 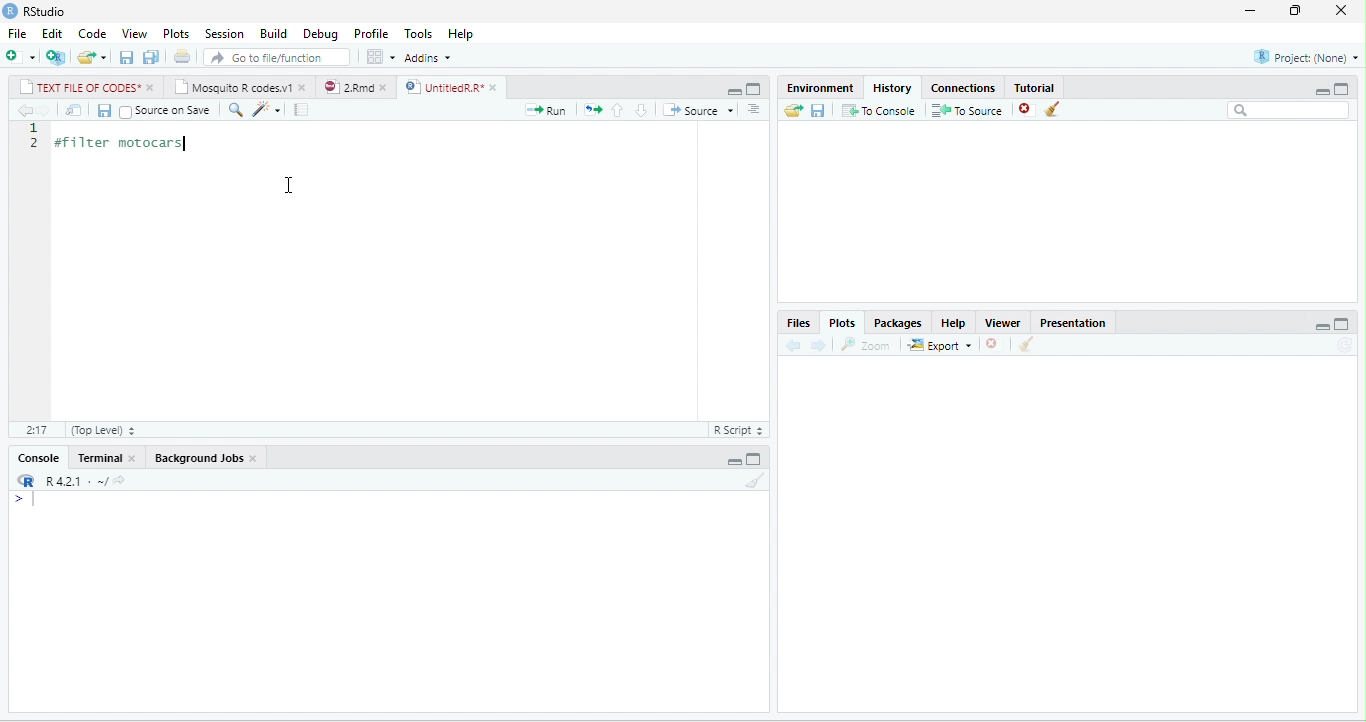 I want to click on options, so click(x=754, y=109).